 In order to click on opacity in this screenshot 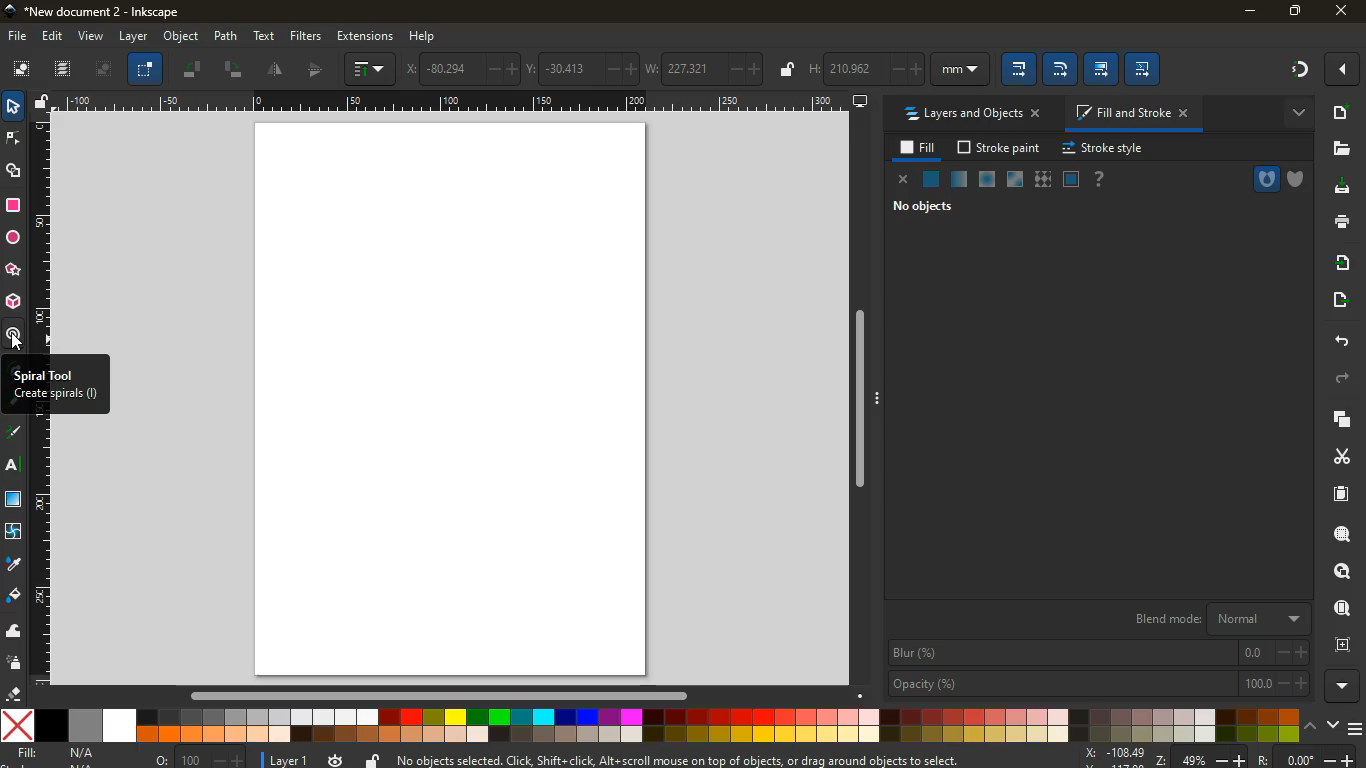, I will do `click(1097, 683)`.